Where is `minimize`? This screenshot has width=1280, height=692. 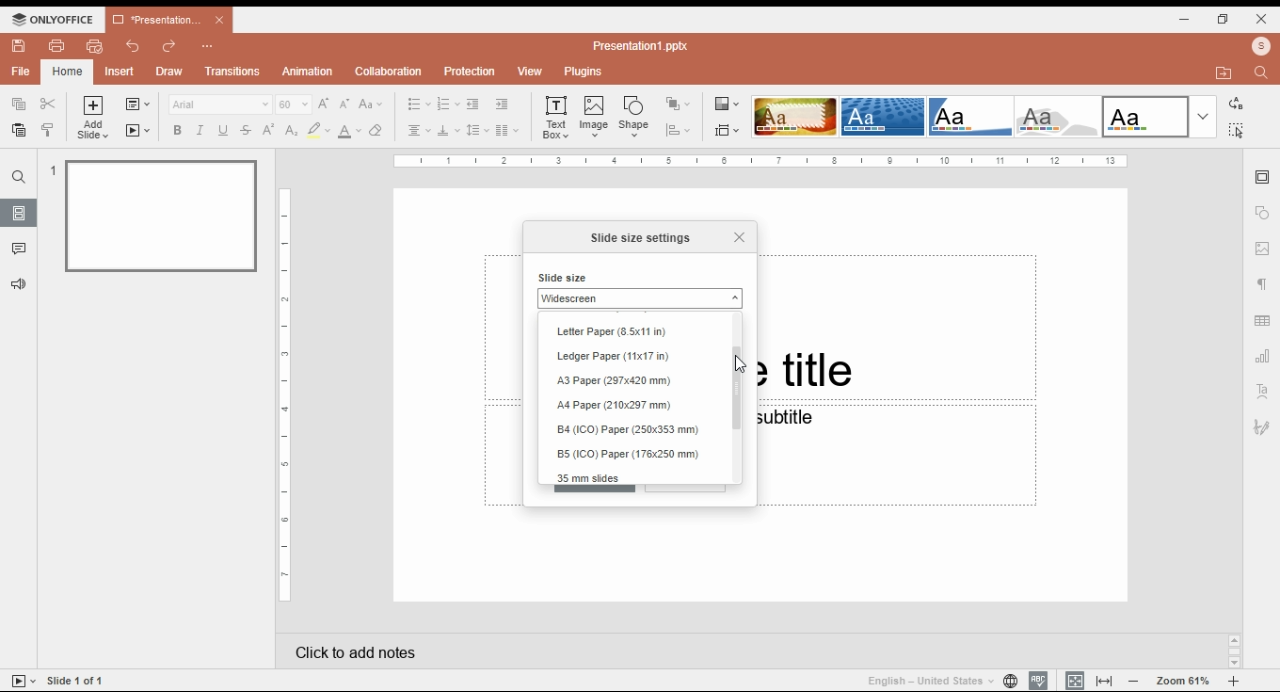 minimize is located at coordinates (1185, 18).